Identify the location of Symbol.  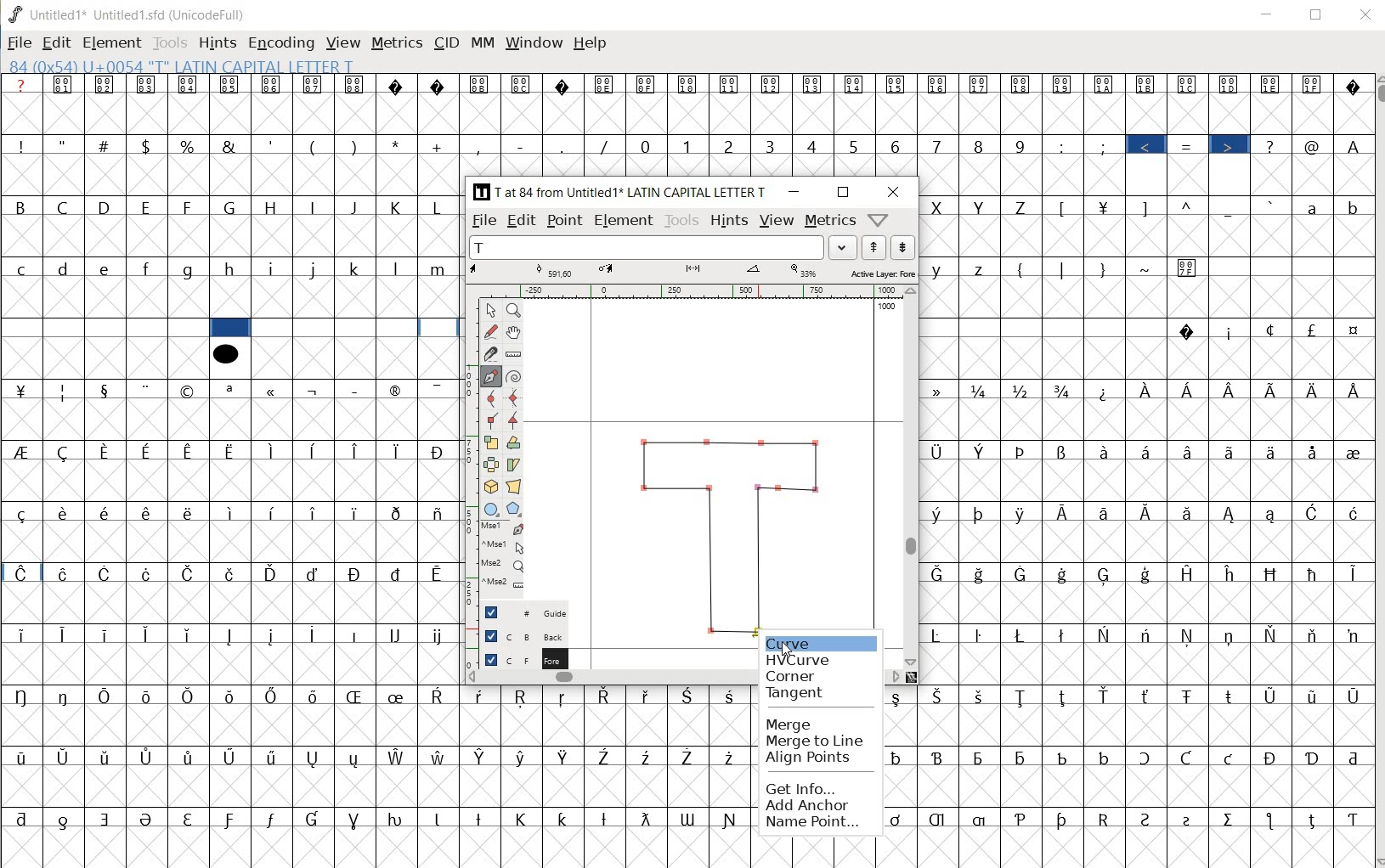
(938, 86).